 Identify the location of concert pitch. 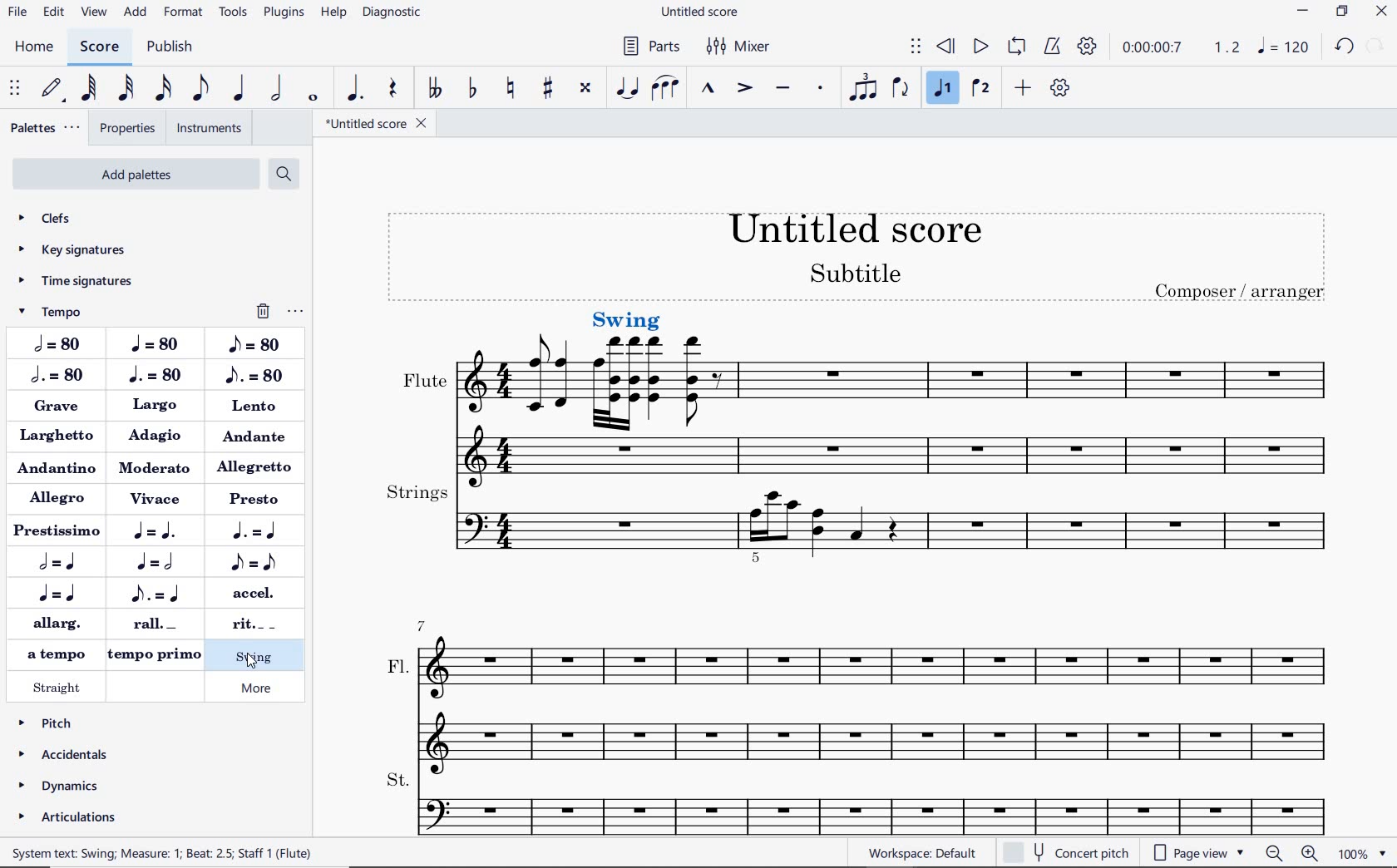
(1066, 853).